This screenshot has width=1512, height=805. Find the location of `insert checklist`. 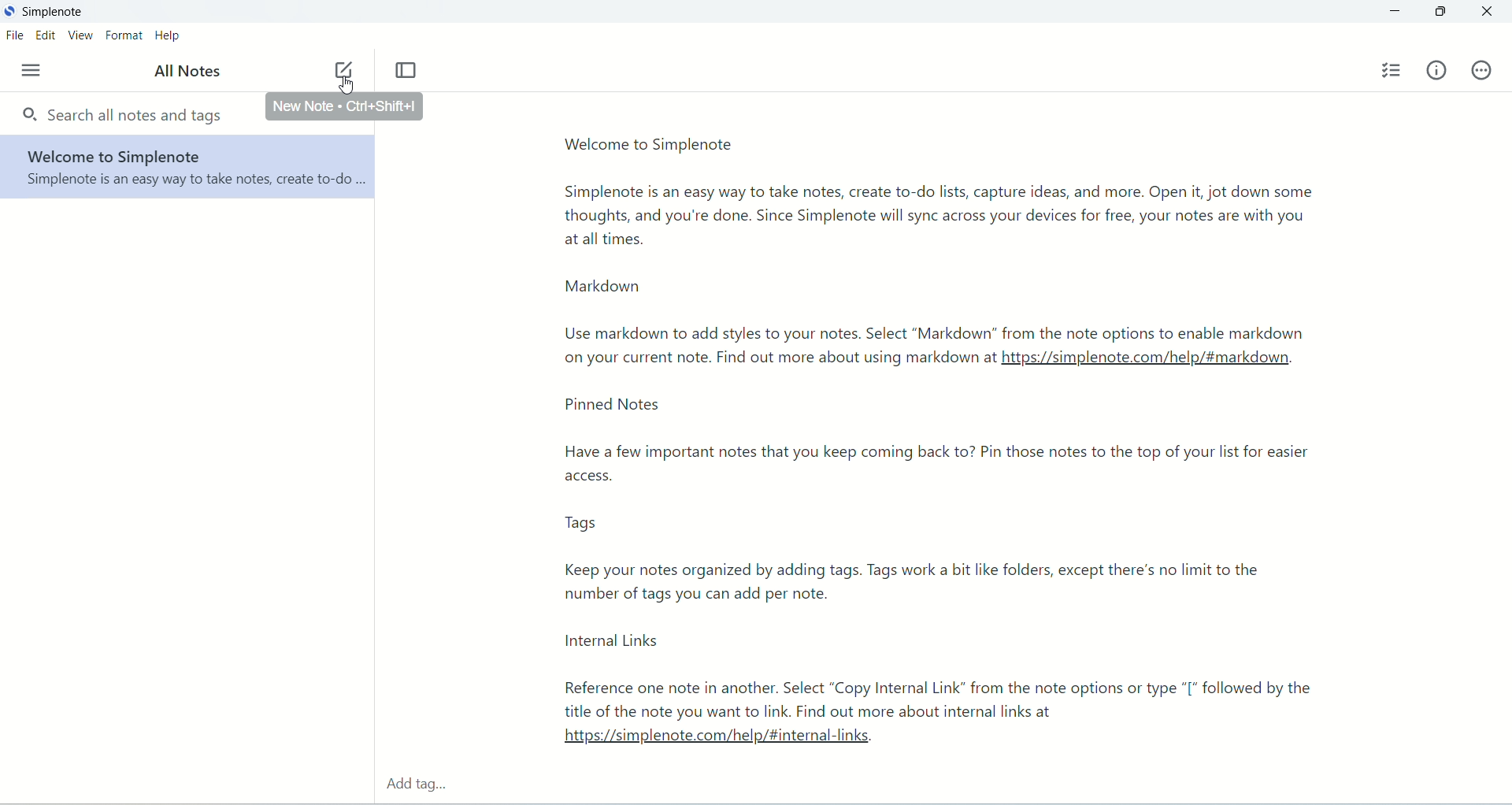

insert checklist is located at coordinates (1388, 72).